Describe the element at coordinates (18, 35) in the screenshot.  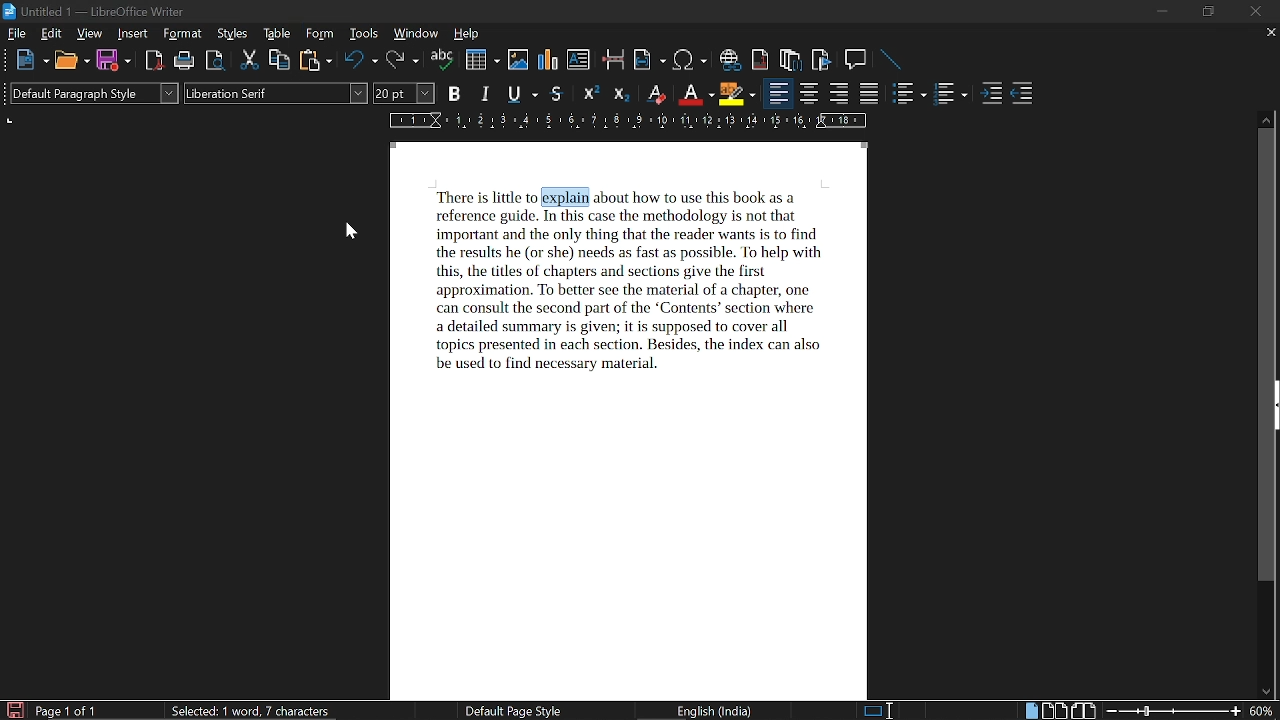
I see `file` at that location.